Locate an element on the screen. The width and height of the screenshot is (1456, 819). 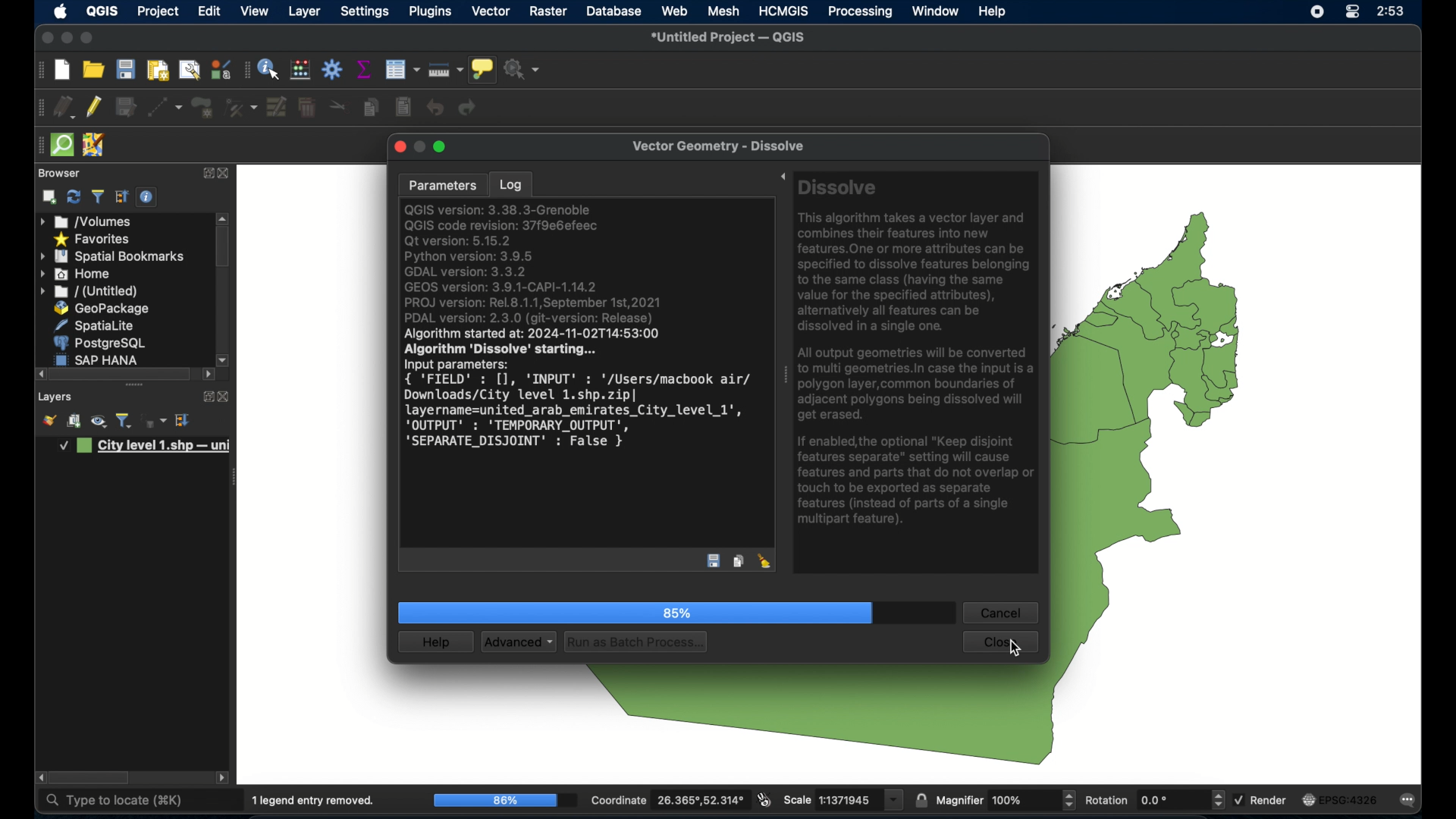
expand is located at coordinates (782, 178).